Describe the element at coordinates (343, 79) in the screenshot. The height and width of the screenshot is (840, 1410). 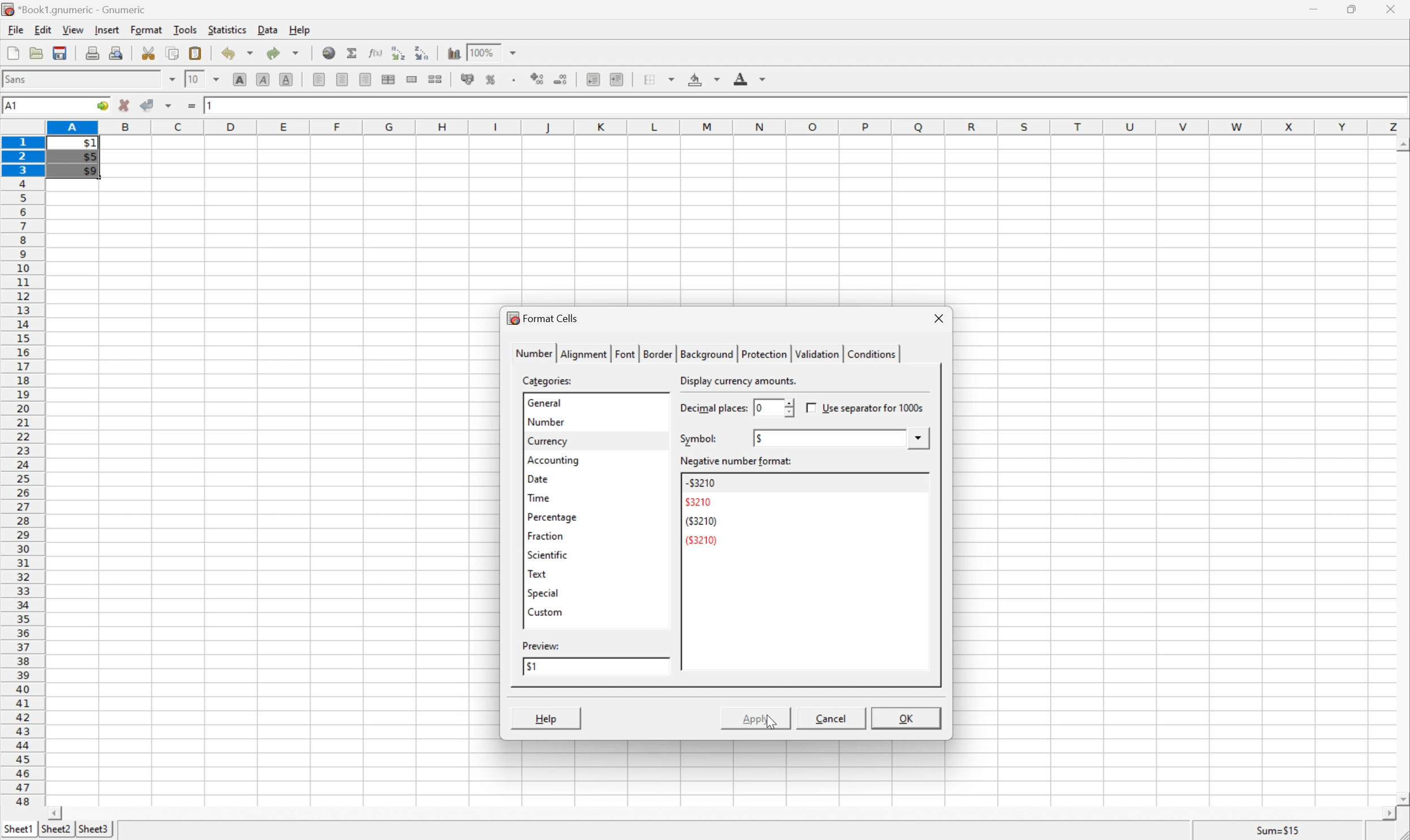
I see `align center` at that location.